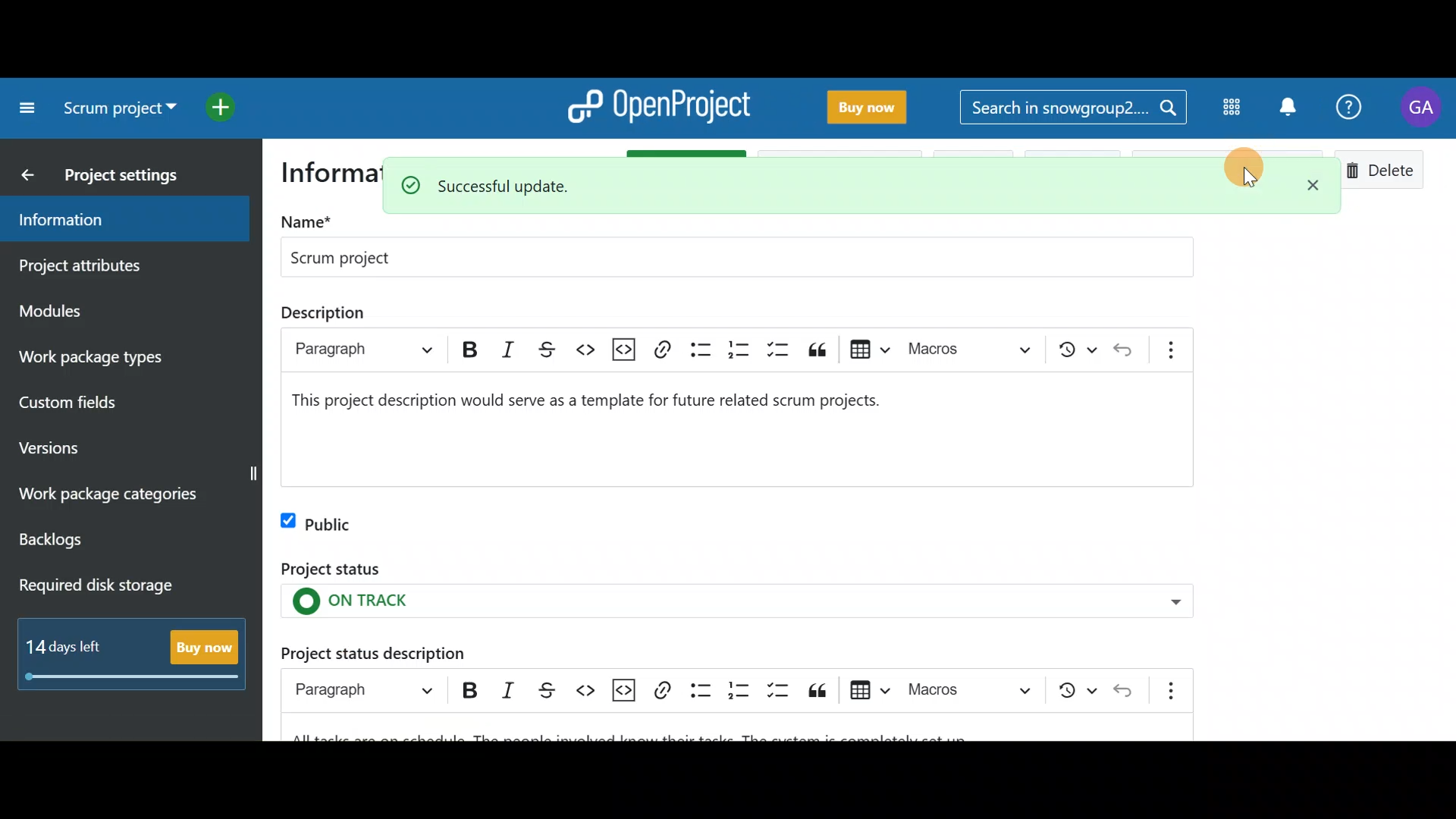 Image resolution: width=1456 pixels, height=819 pixels. Describe the element at coordinates (801, 181) in the screenshot. I see `Successful update` at that location.